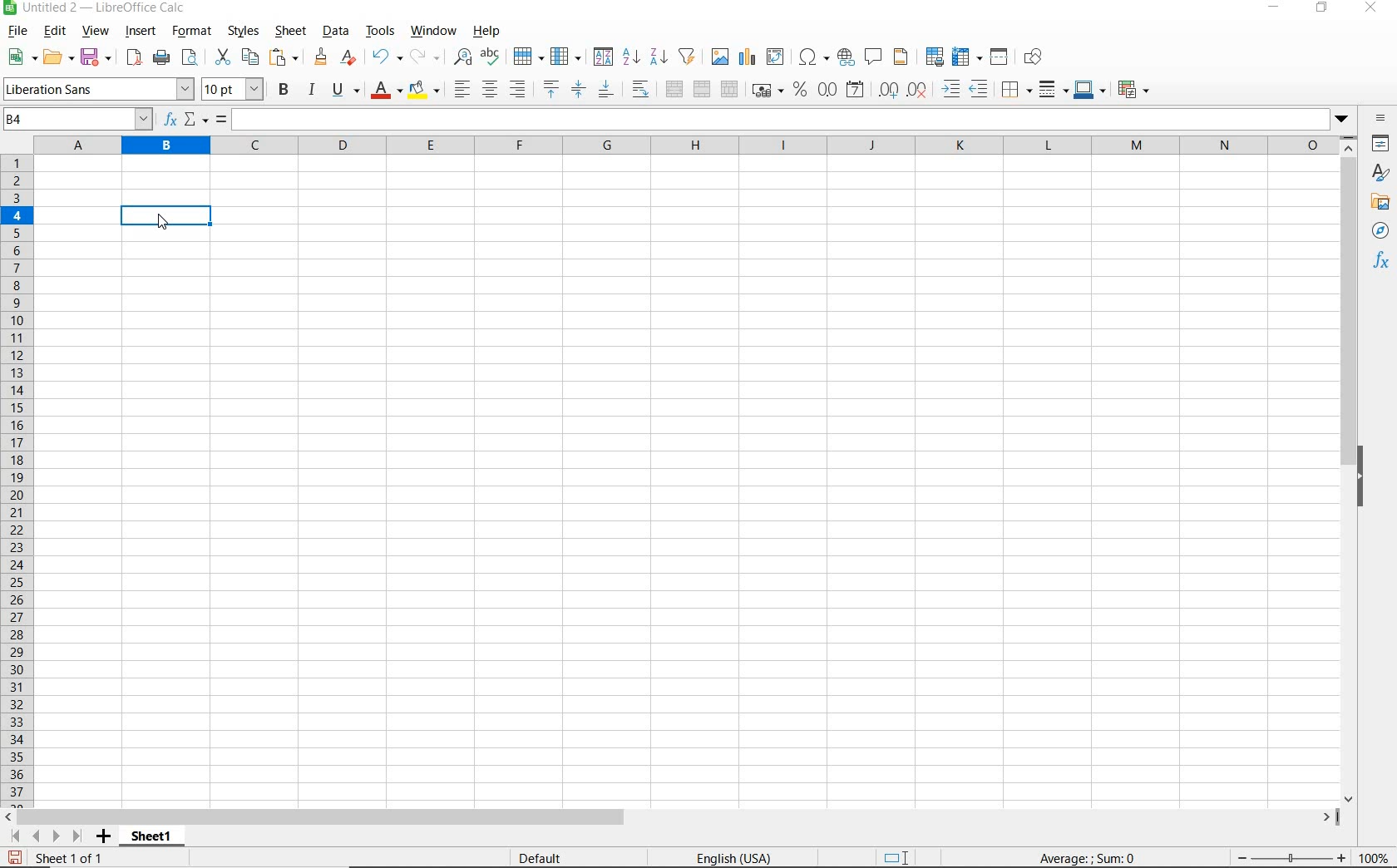 This screenshot has width=1397, height=868. What do you see at coordinates (387, 92) in the screenshot?
I see `font color` at bounding box center [387, 92].